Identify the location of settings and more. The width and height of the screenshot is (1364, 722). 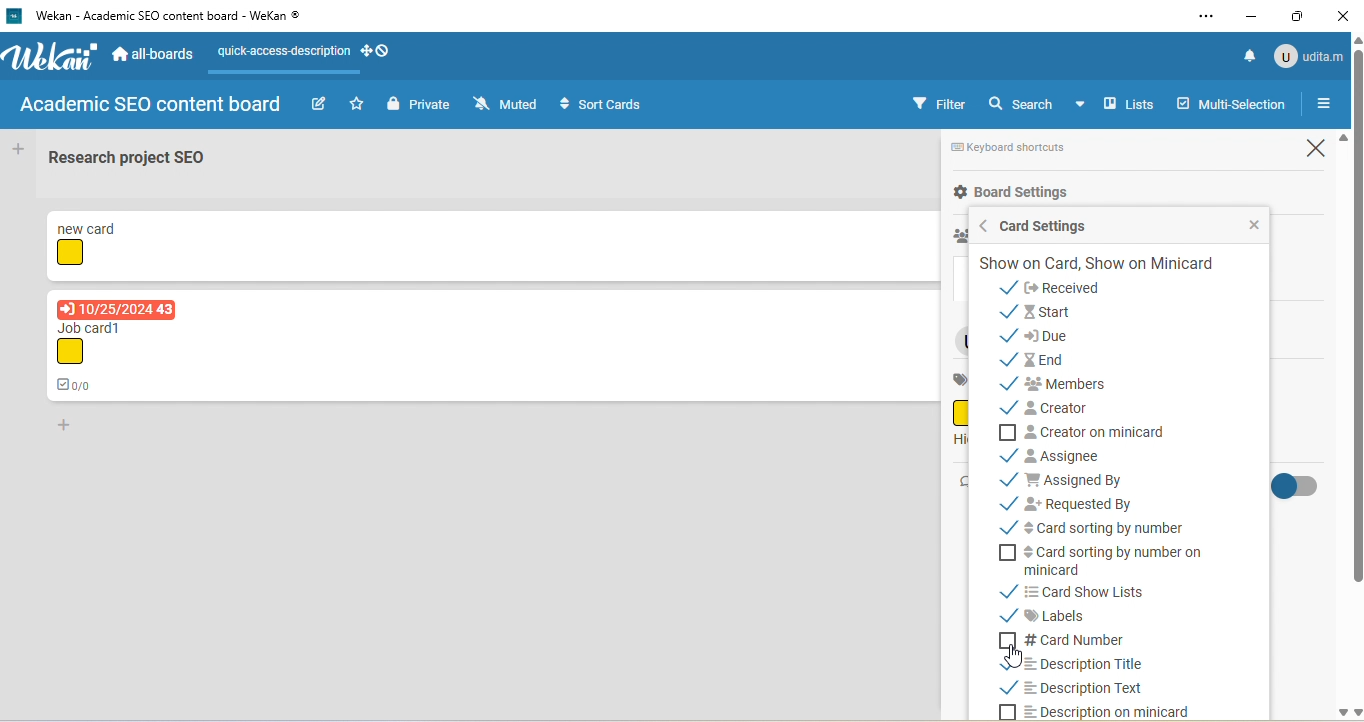
(1204, 18).